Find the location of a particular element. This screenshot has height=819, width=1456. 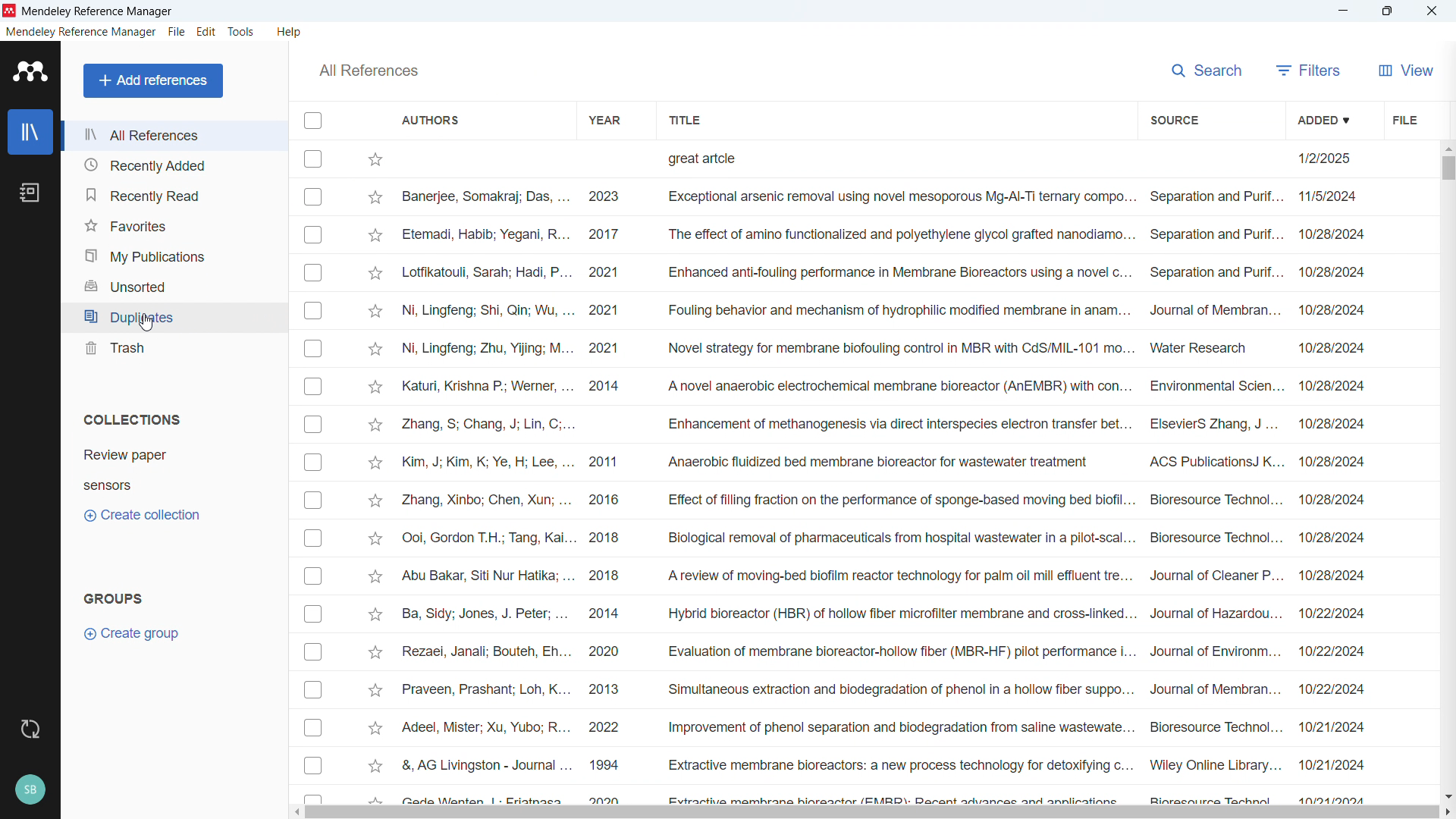

Recently added  is located at coordinates (171, 165).